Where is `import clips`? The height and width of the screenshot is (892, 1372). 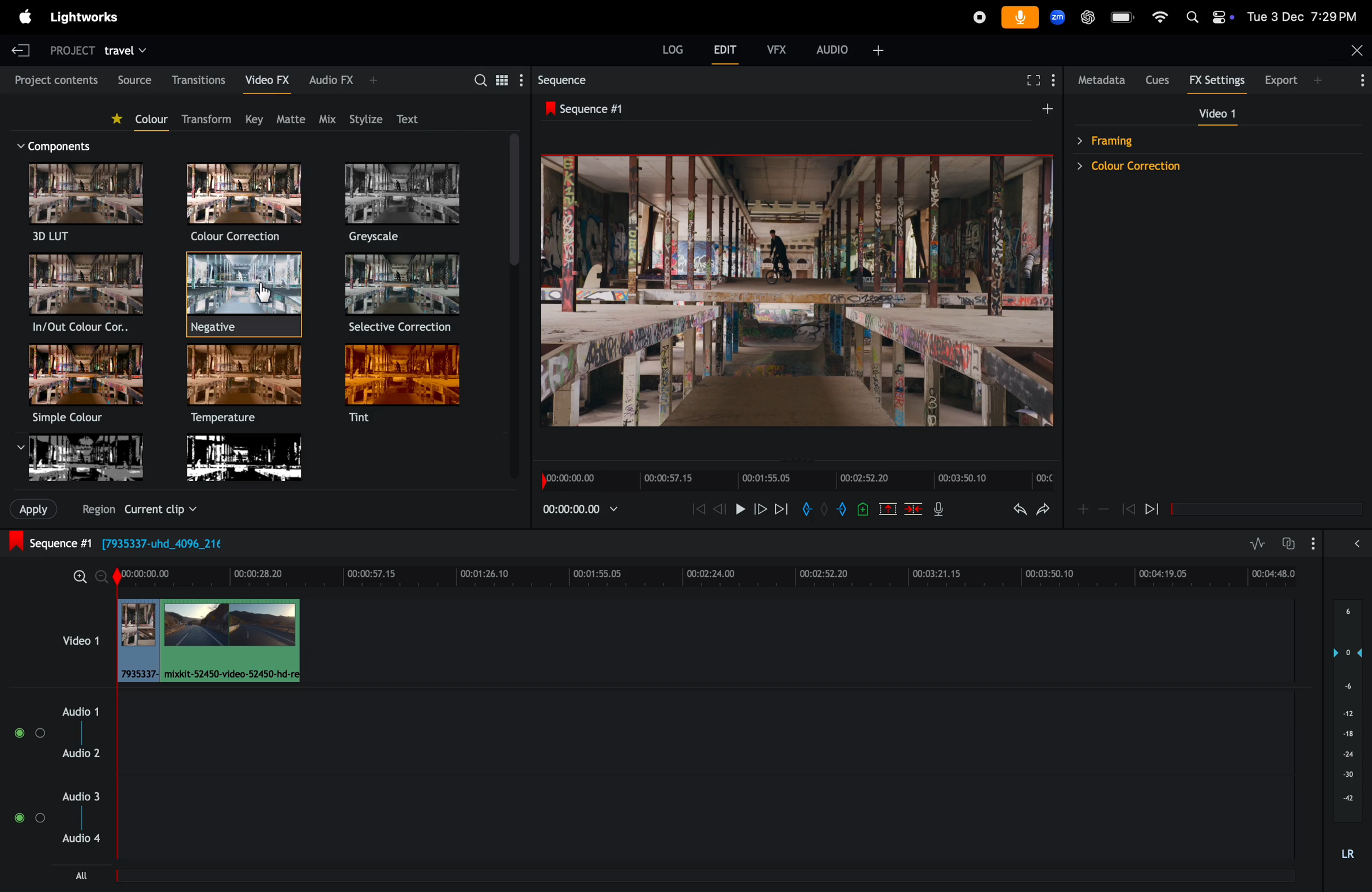 import clips is located at coordinates (31, 511).